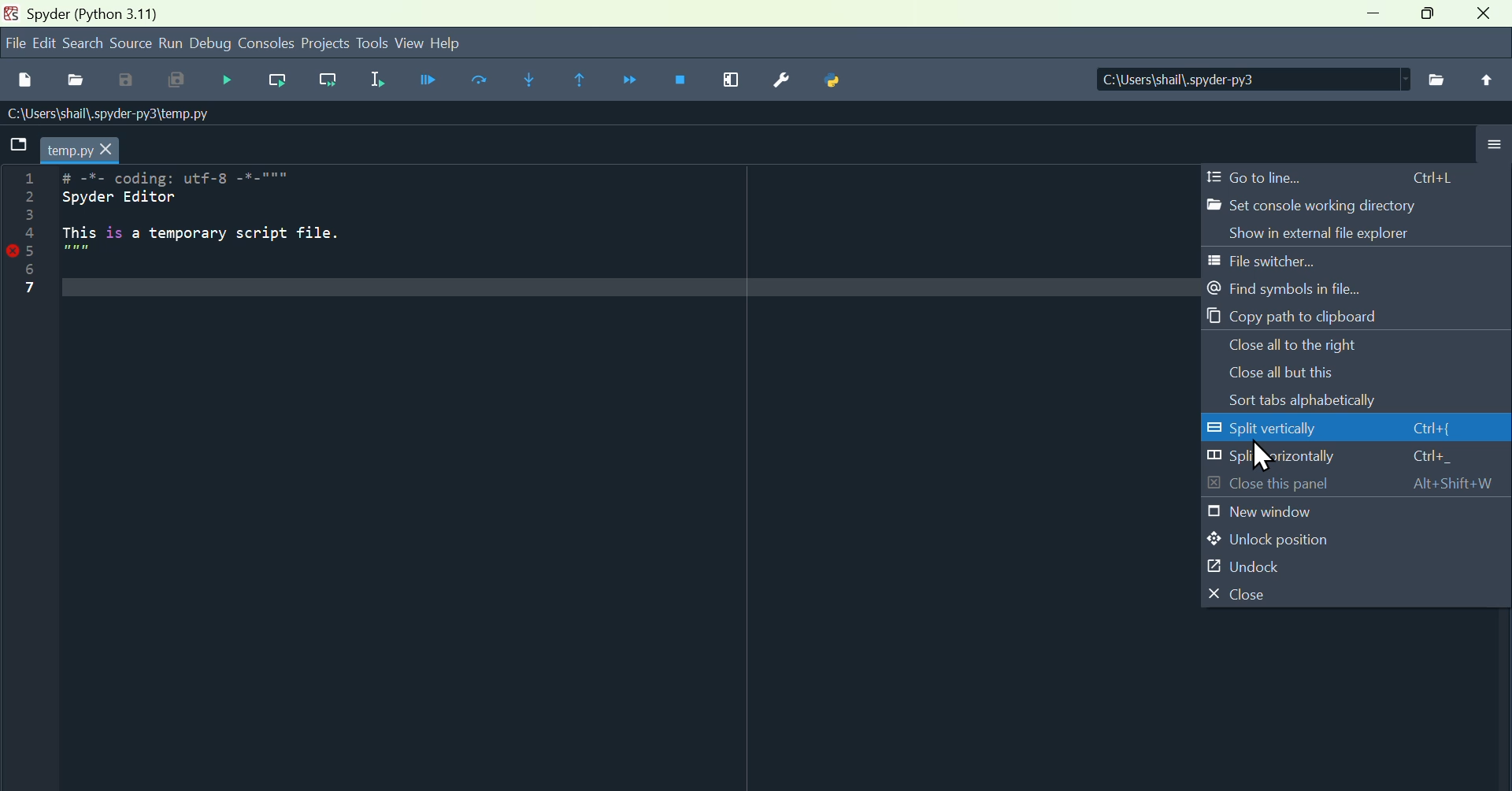  What do you see at coordinates (218, 225) in the screenshot?
I see `# -*- coding: utf-8 -*-"""
Spyder Editor
This is a temporary script file.` at bounding box center [218, 225].